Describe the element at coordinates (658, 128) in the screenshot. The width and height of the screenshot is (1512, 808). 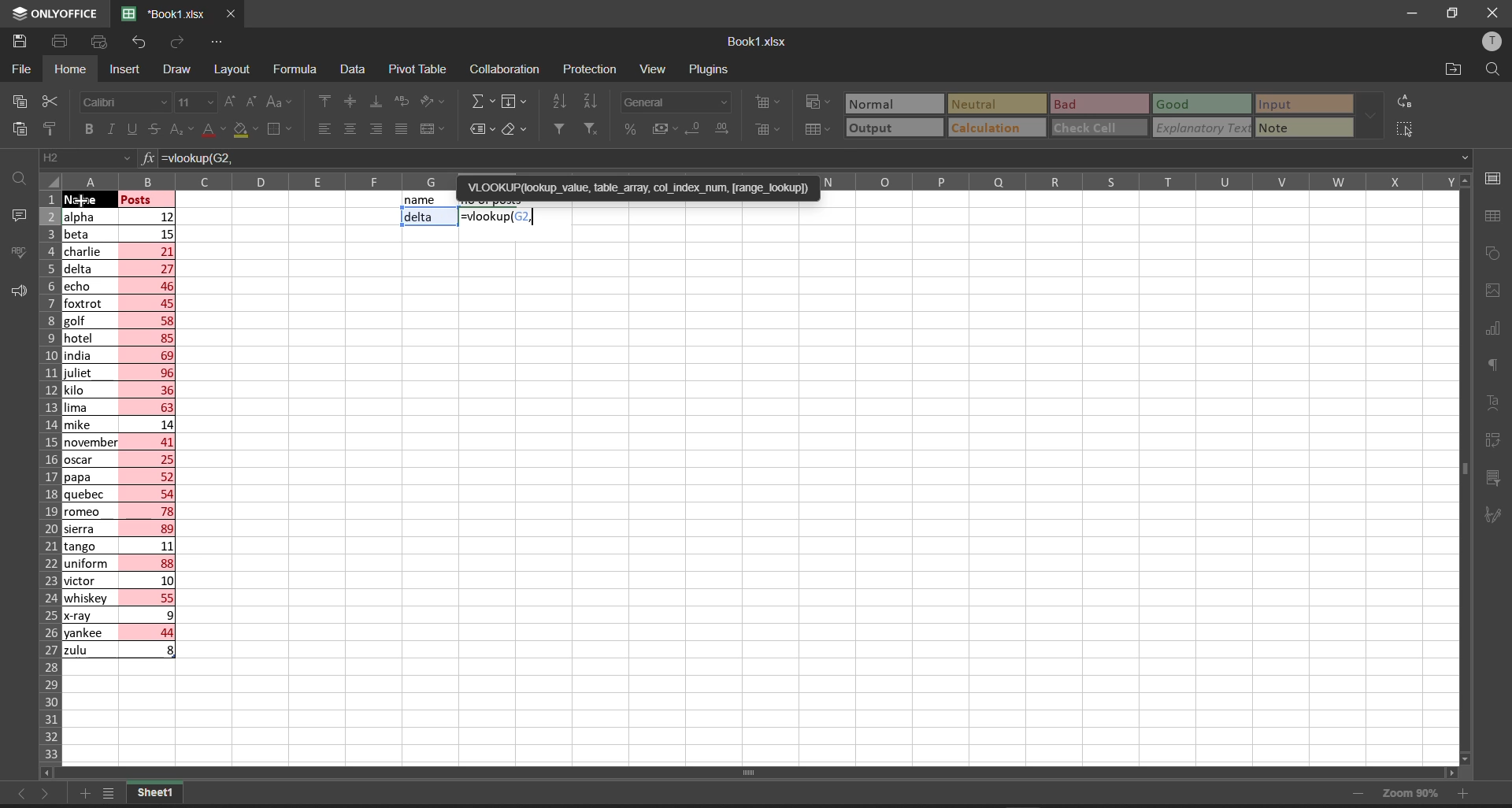
I see `accounting style` at that location.